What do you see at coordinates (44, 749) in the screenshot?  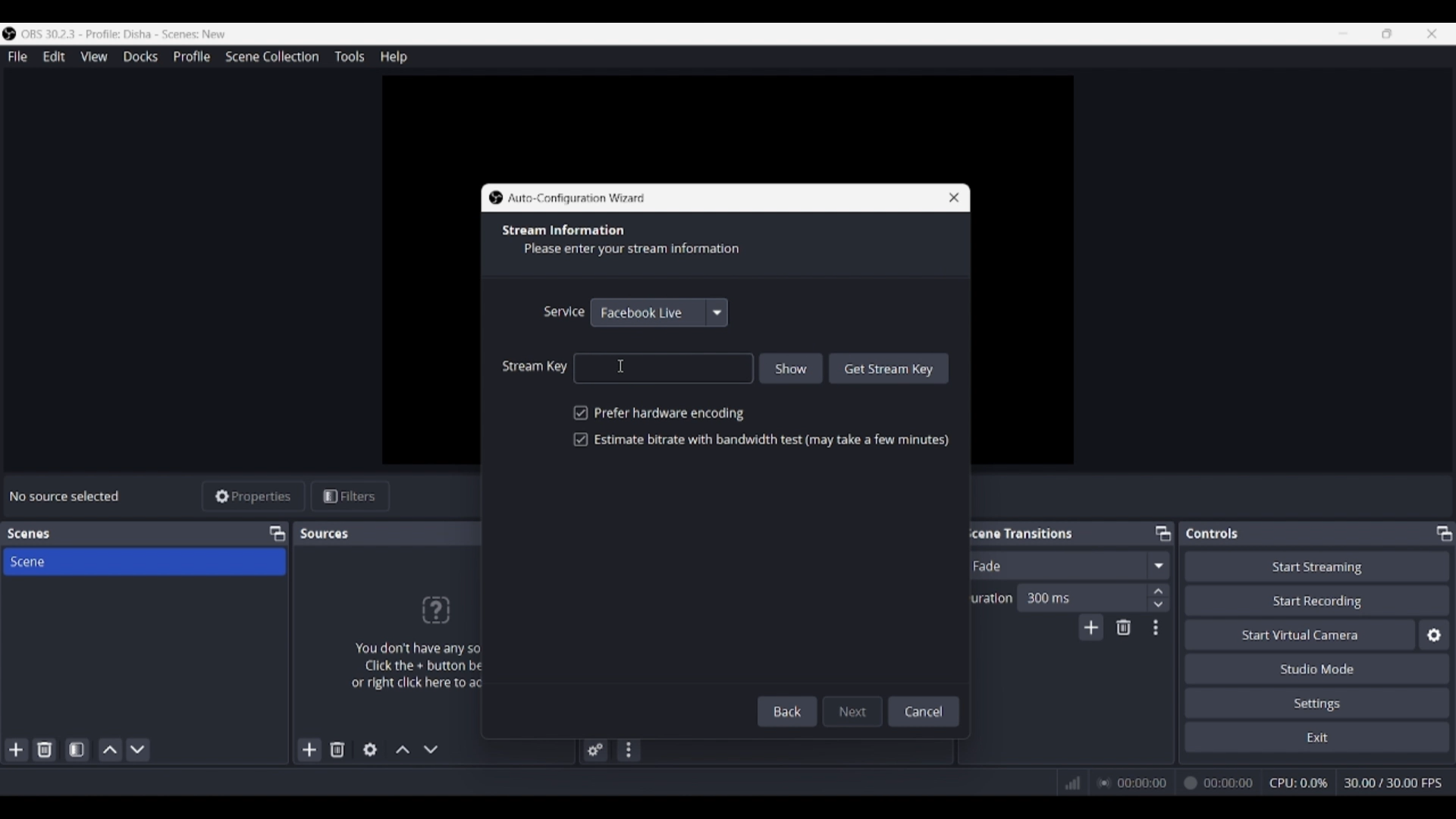 I see `Delete selected scene` at bounding box center [44, 749].